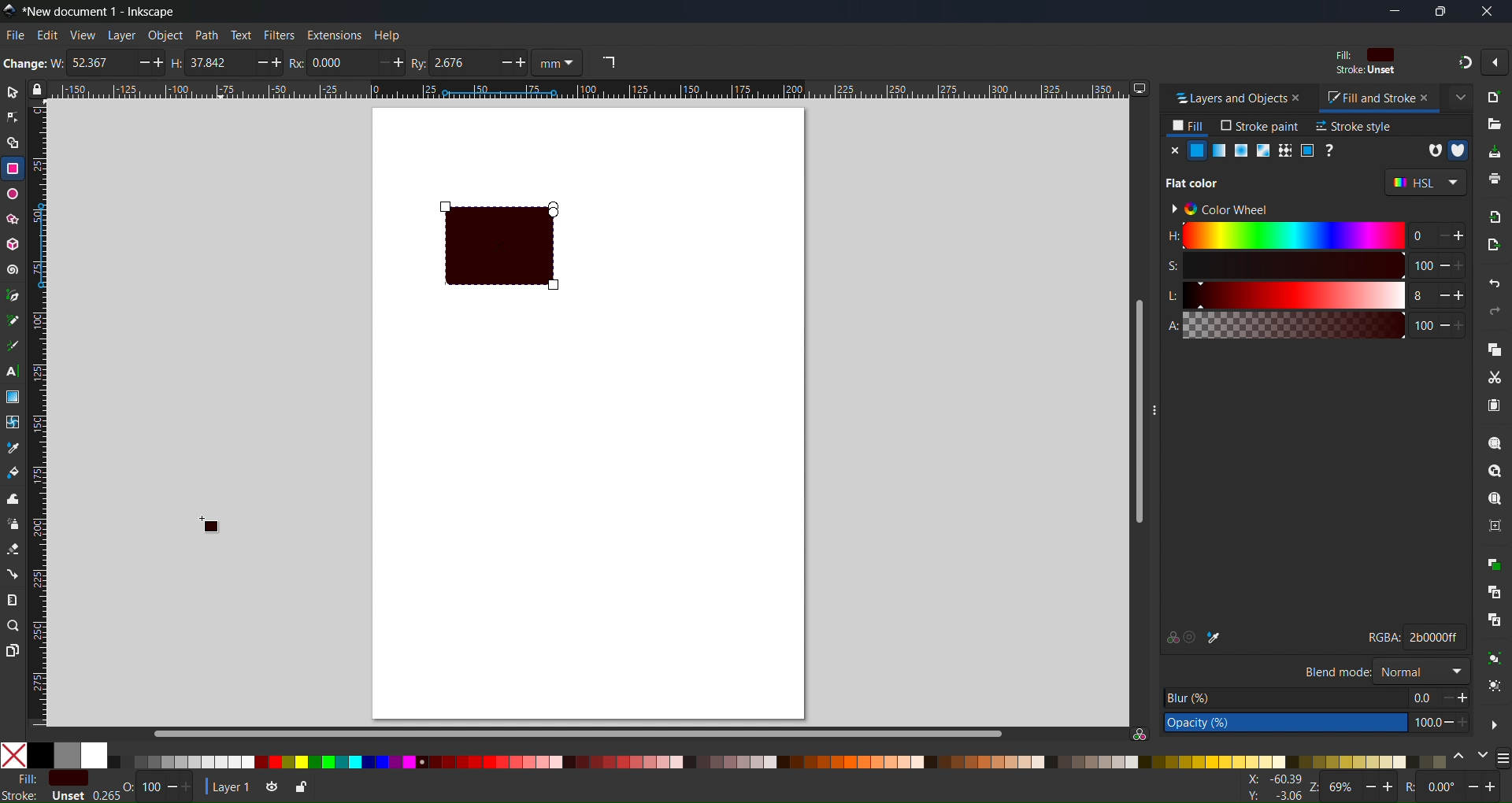 The width and height of the screenshot is (1512, 803). I want to click on View, so click(82, 35).